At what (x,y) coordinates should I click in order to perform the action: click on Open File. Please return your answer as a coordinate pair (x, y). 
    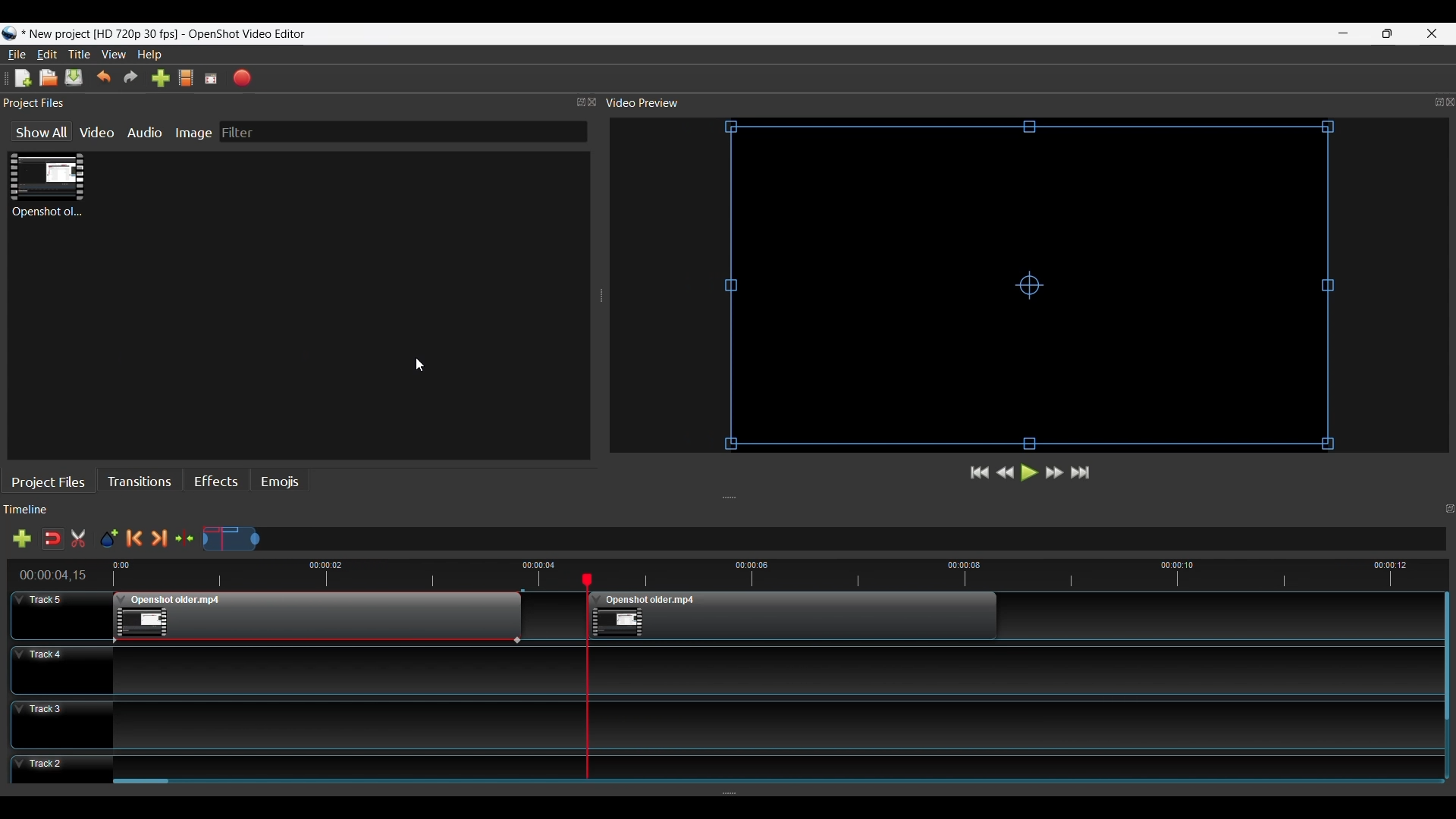
    Looking at the image, I should click on (48, 78).